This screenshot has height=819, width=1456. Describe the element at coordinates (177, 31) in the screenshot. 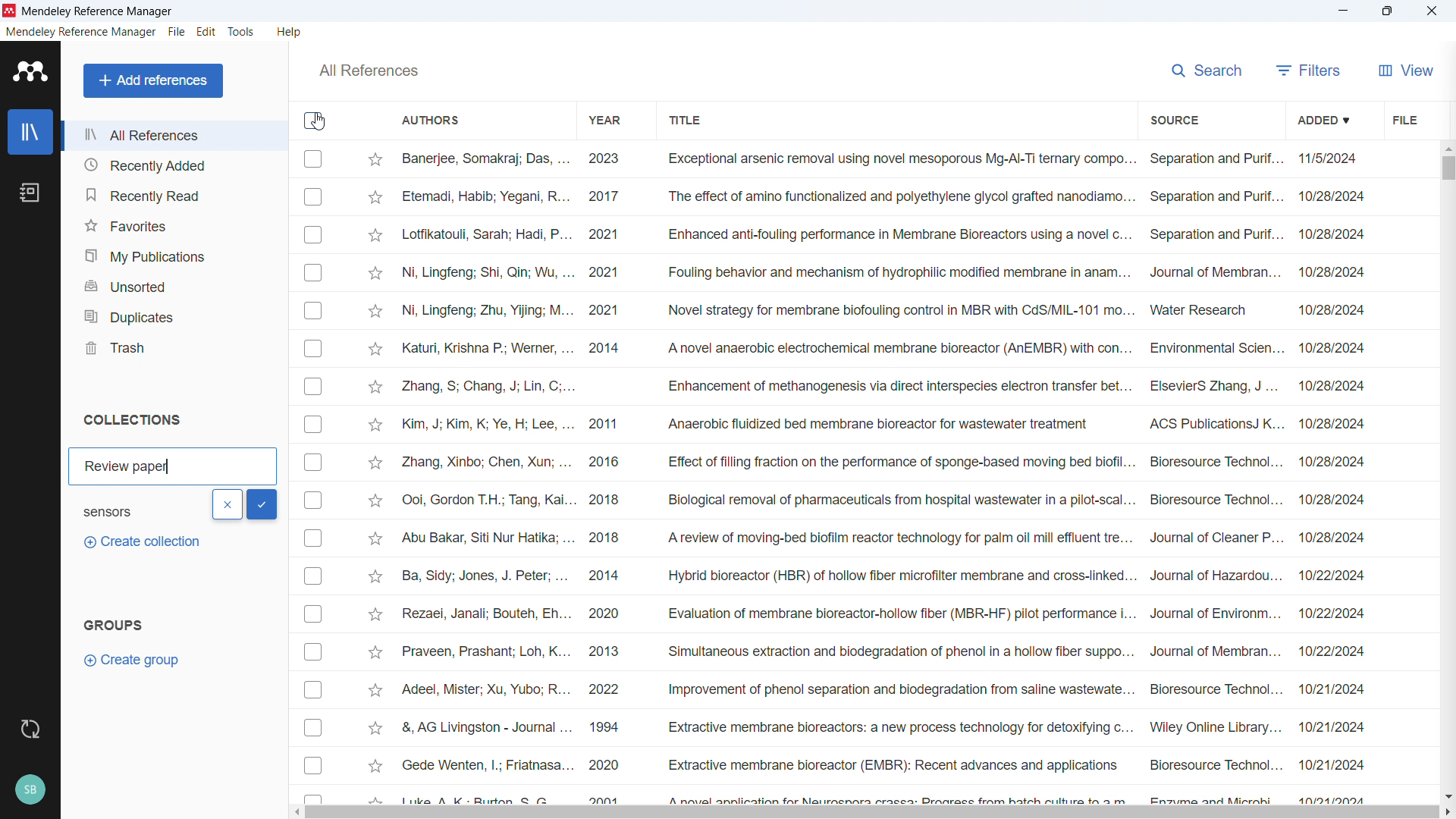

I see `File ` at that location.